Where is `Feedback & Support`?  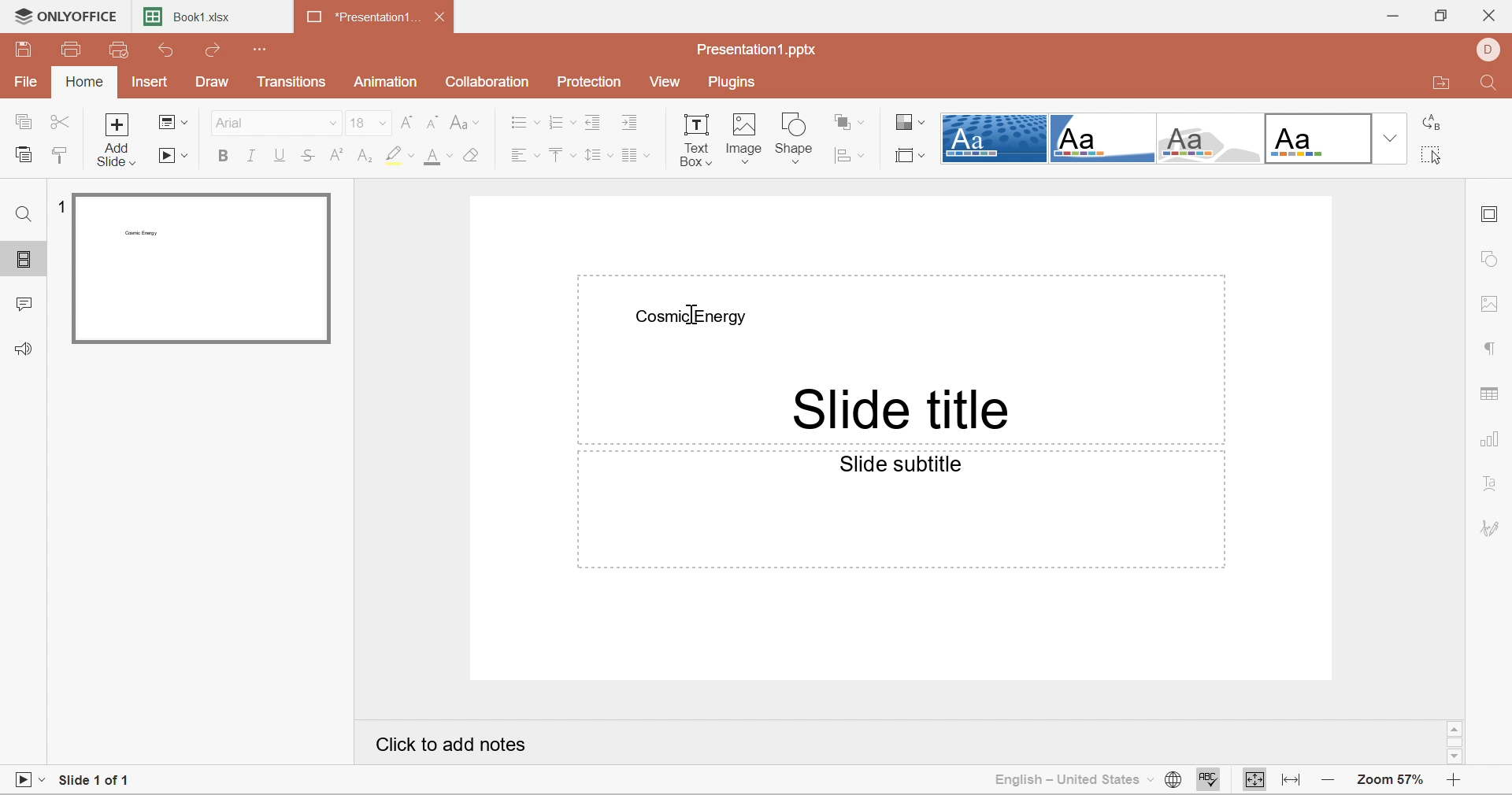
Feedback & Support is located at coordinates (23, 349).